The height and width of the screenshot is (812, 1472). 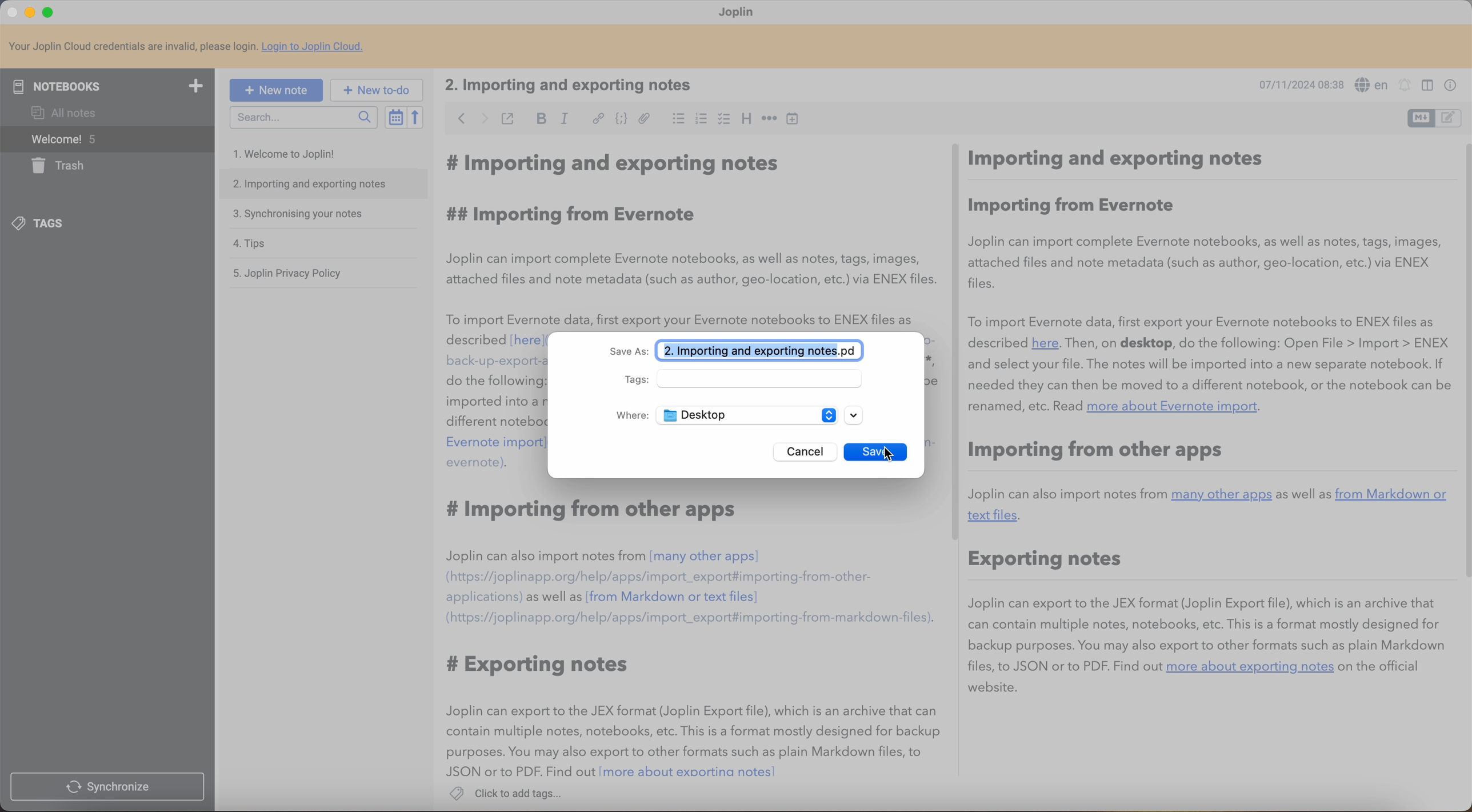 What do you see at coordinates (748, 639) in the screenshot?
I see `Importing from other apps. Joplin can also import notes from many other apps...` at bounding box center [748, 639].